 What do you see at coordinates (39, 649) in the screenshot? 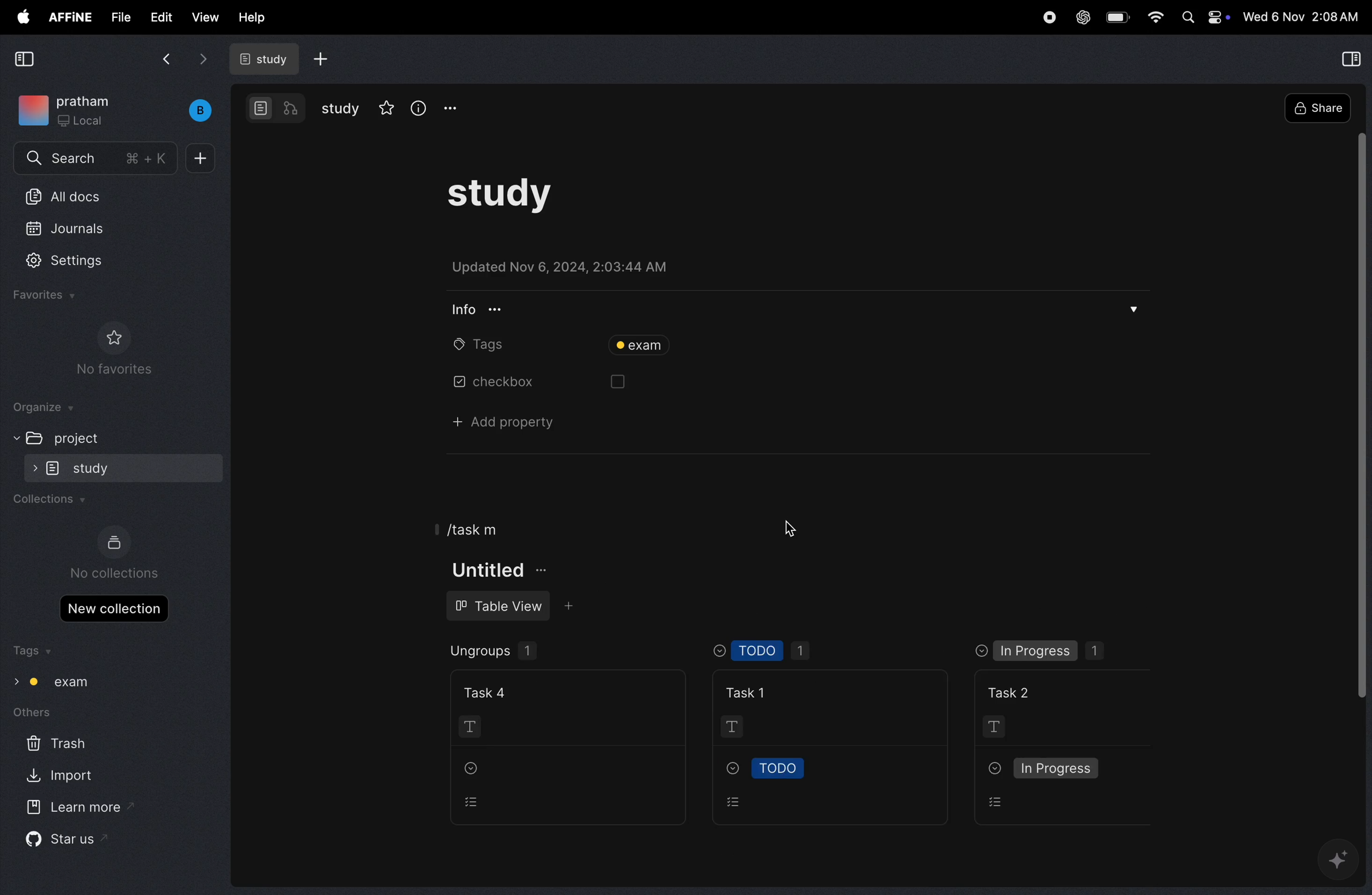
I see `tags` at bounding box center [39, 649].